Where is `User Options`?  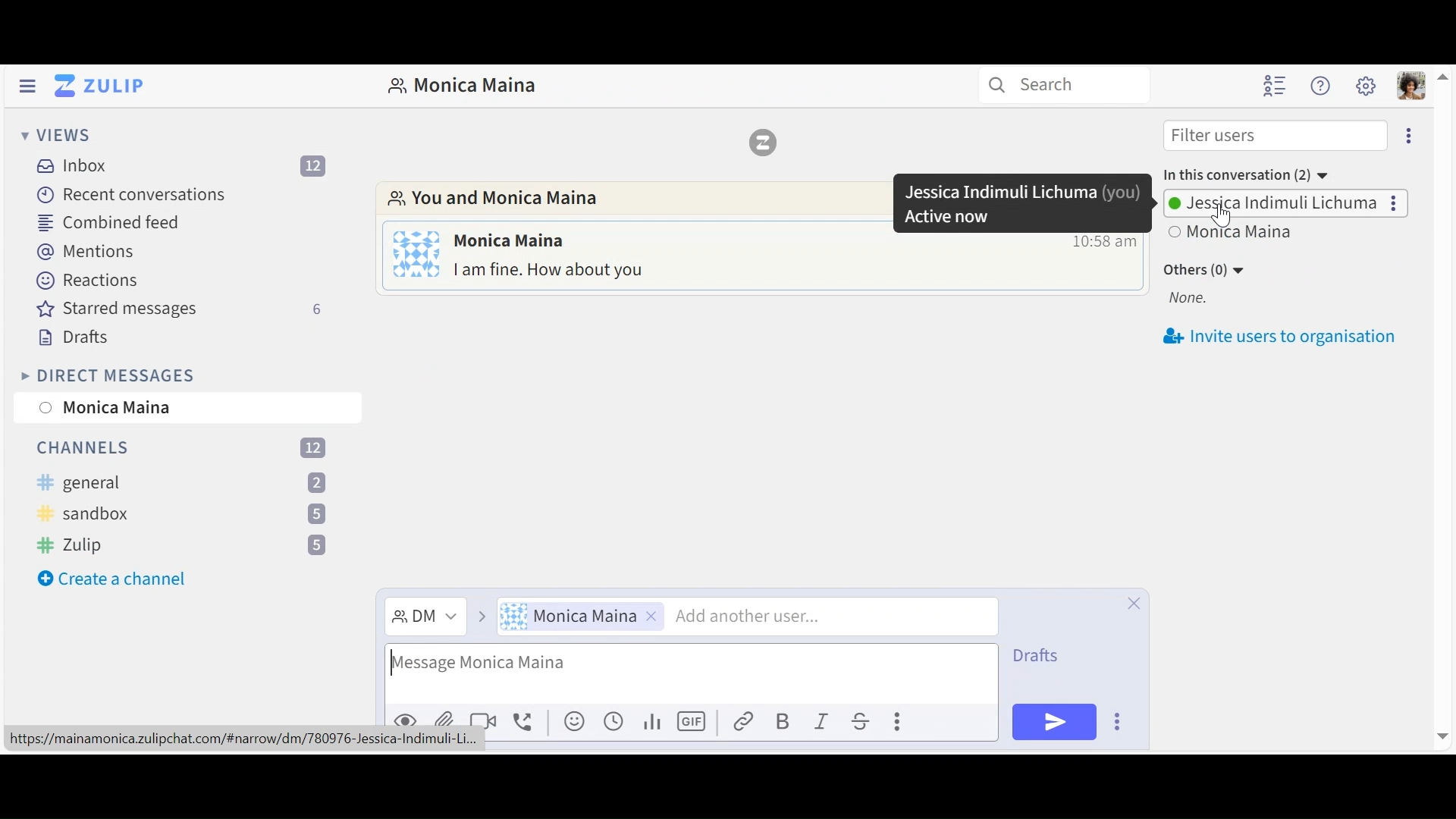
User Options is located at coordinates (1290, 180).